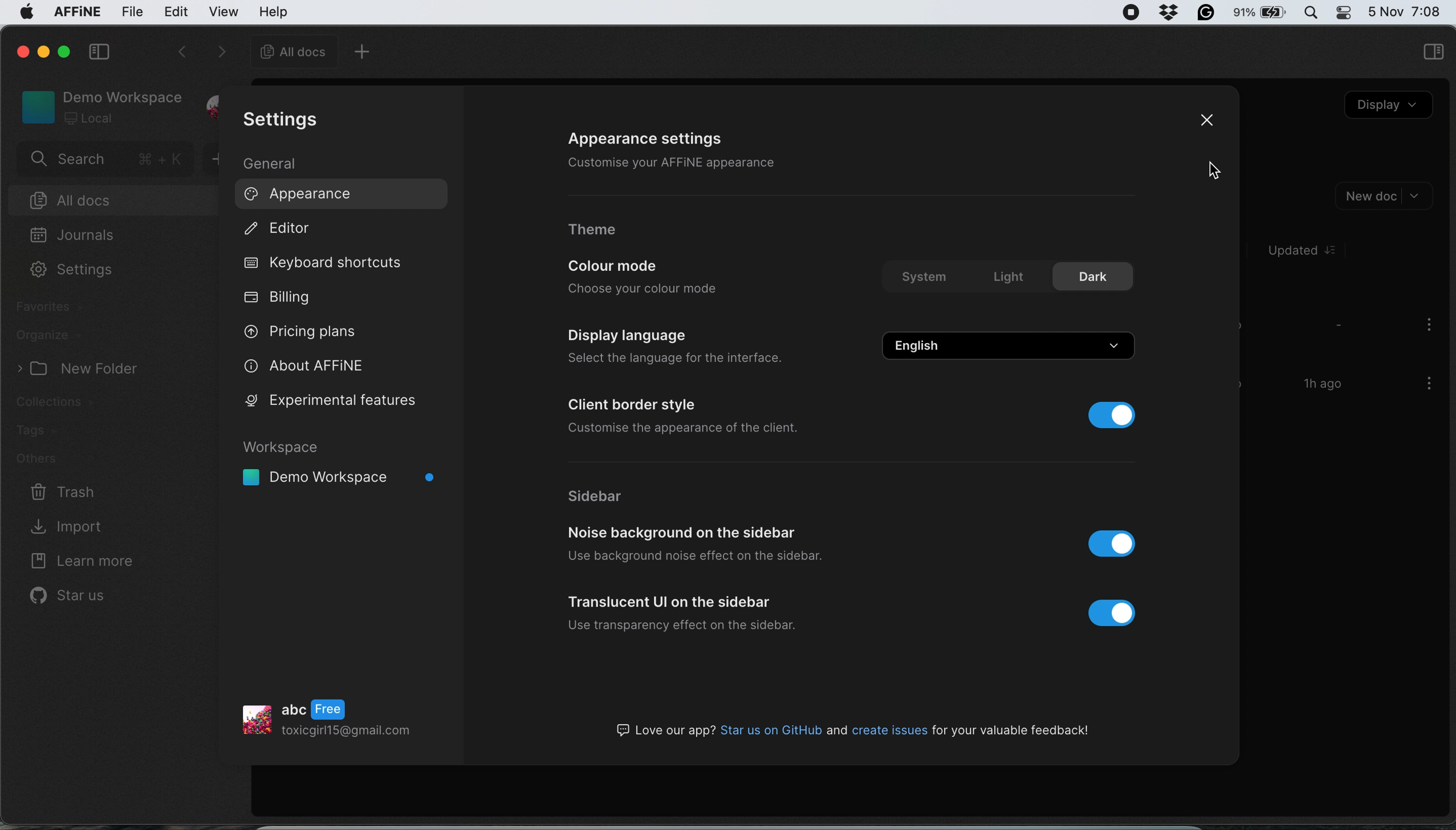  What do you see at coordinates (332, 264) in the screenshot?
I see `keyboard shortcute` at bounding box center [332, 264].